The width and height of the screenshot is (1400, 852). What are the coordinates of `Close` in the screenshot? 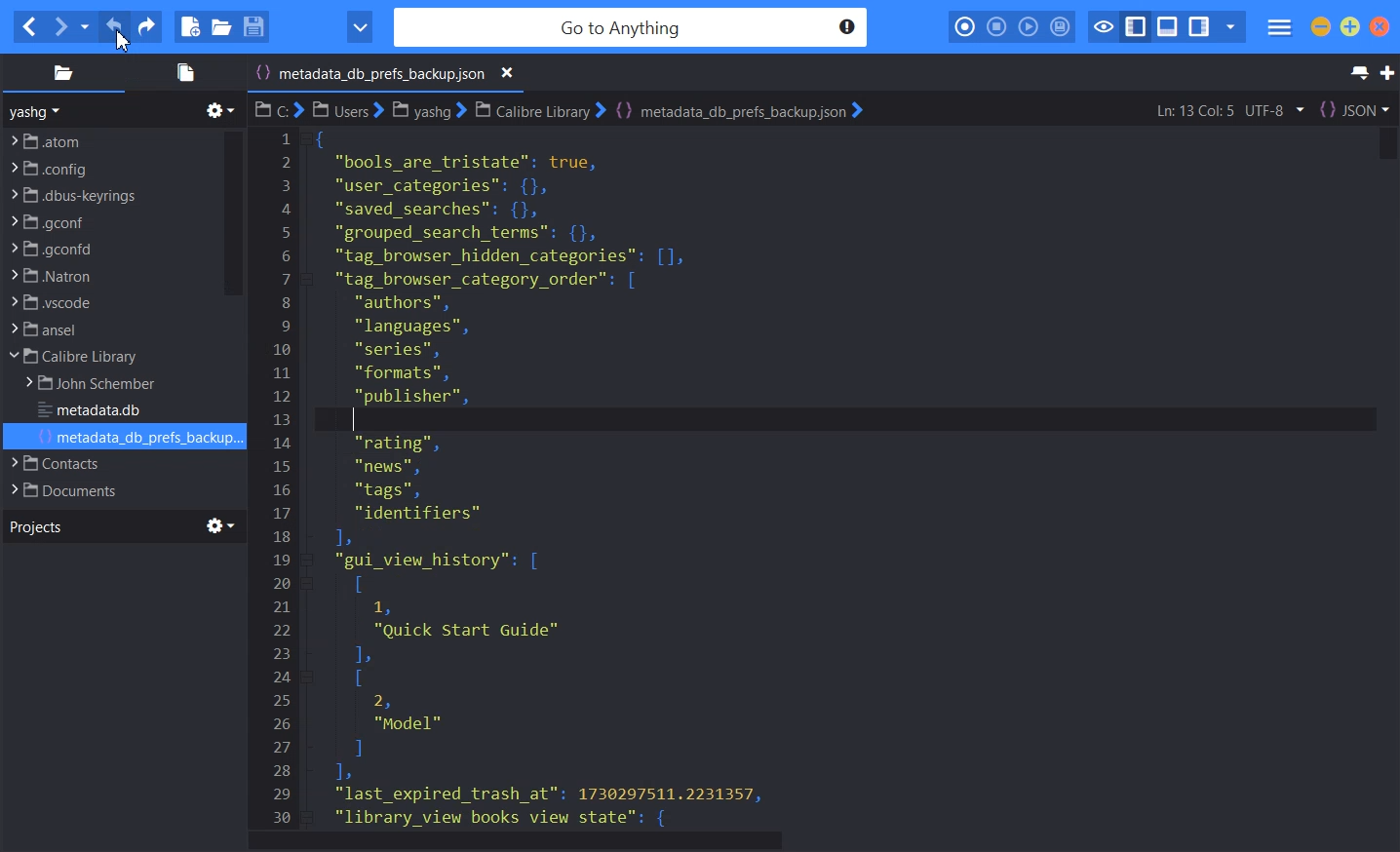 It's located at (508, 73).